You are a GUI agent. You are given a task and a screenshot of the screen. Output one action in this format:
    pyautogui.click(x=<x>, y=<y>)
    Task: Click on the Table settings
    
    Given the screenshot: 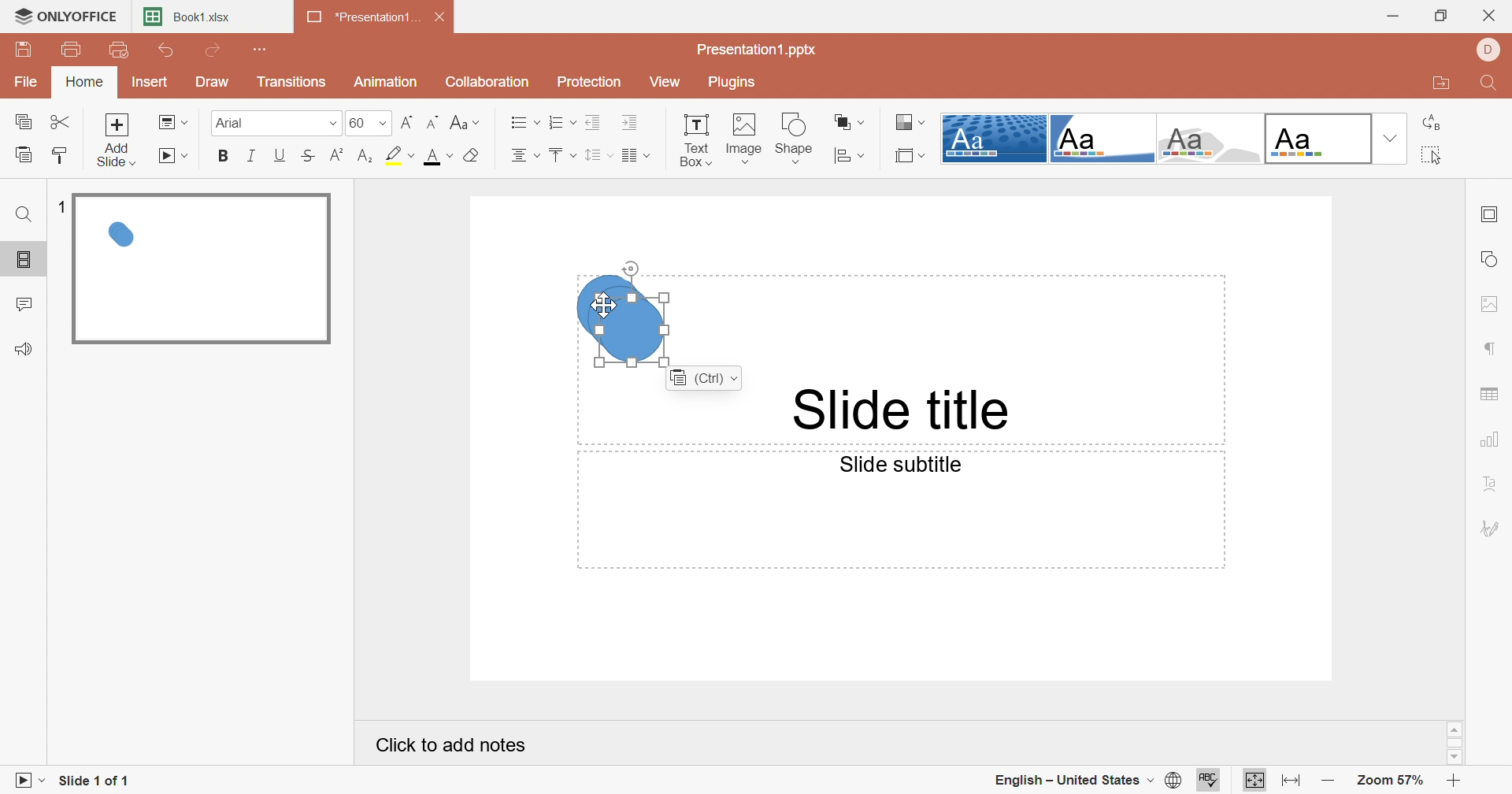 What is the action you would take?
    pyautogui.click(x=1488, y=391)
    